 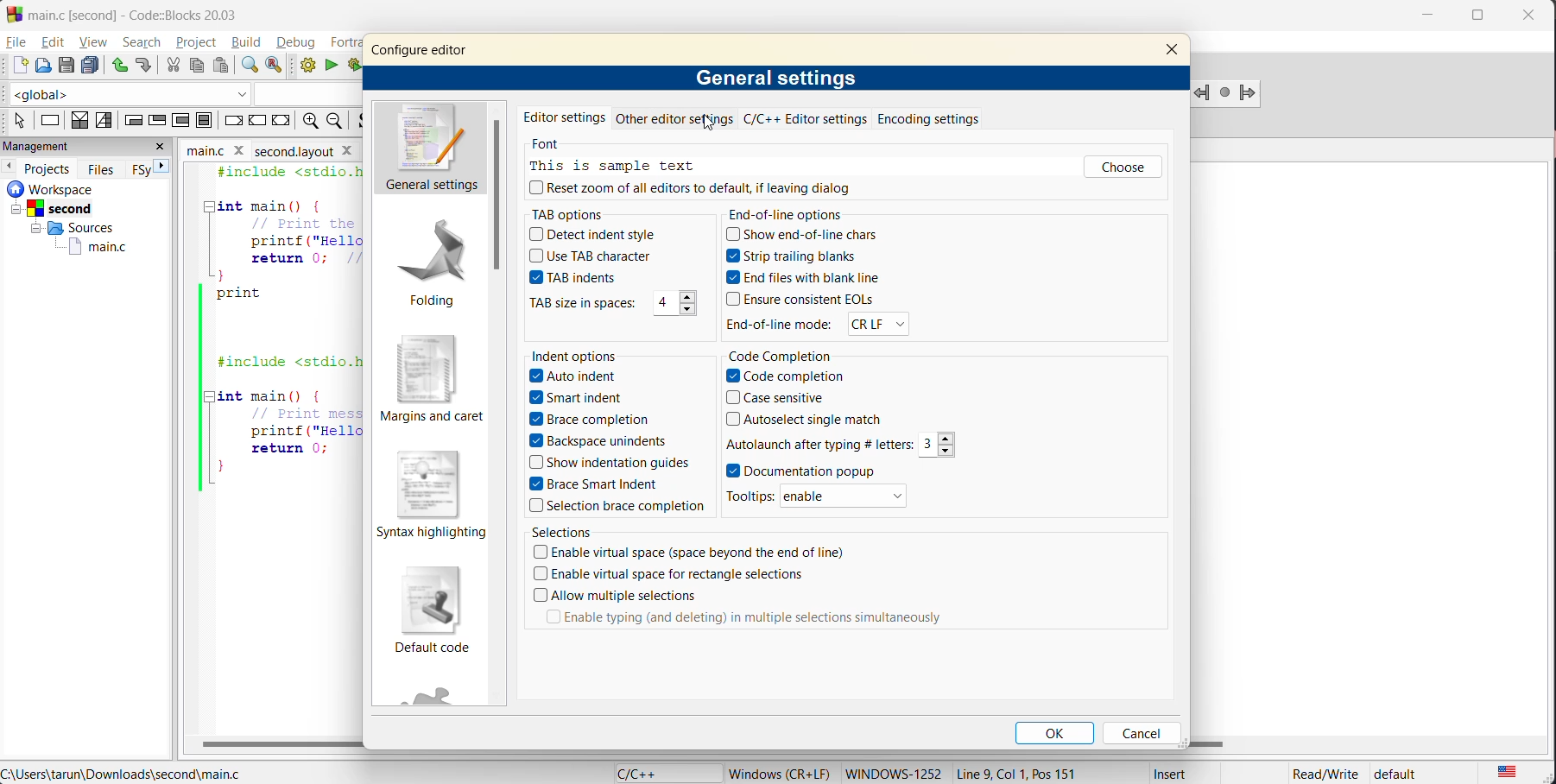 I want to click on app name and file name, so click(x=154, y=14).